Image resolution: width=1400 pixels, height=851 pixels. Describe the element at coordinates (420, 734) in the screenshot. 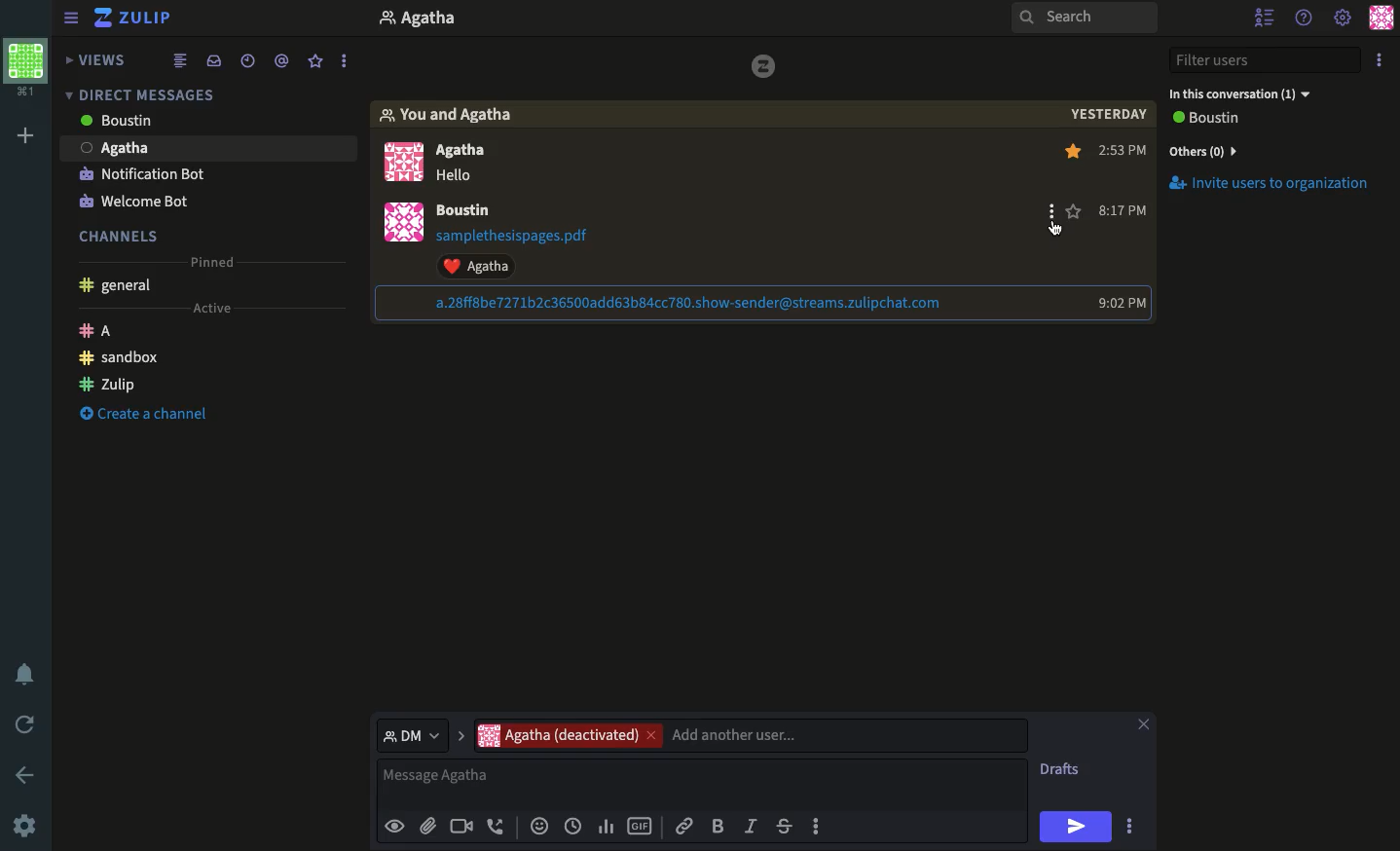

I see `DM` at that location.